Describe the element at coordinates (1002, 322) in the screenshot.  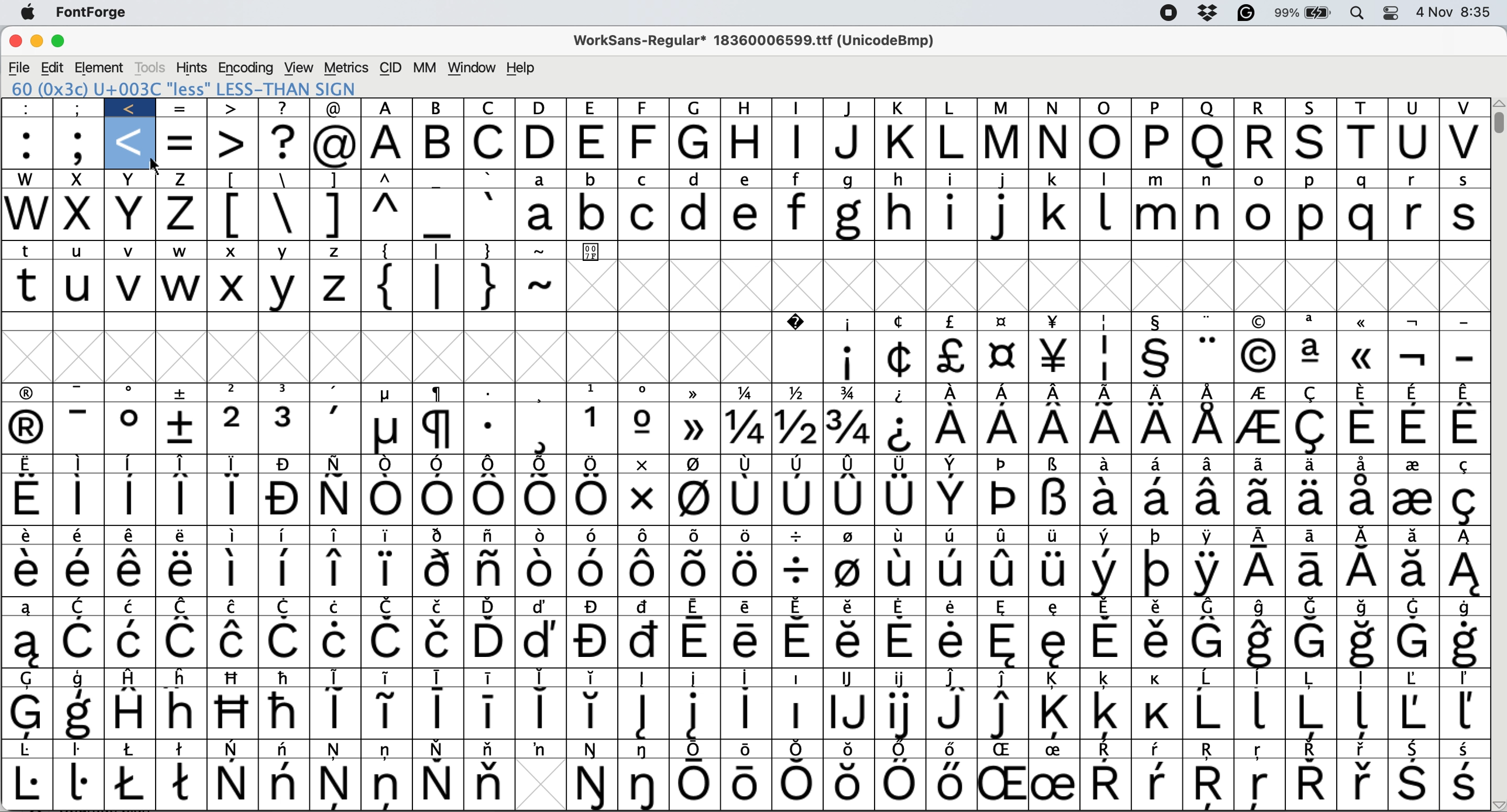
I see `Symbol` at that location.